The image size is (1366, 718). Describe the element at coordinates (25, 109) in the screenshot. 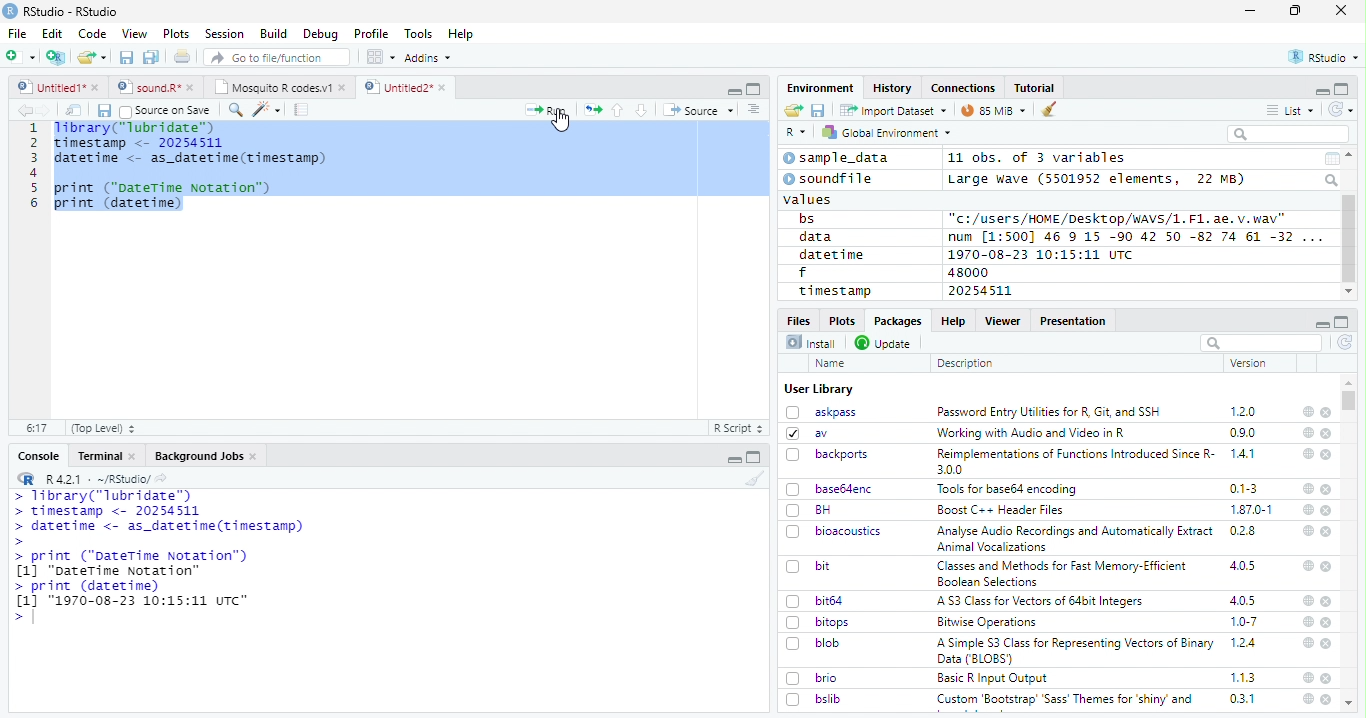

I see `go backward` at that location.